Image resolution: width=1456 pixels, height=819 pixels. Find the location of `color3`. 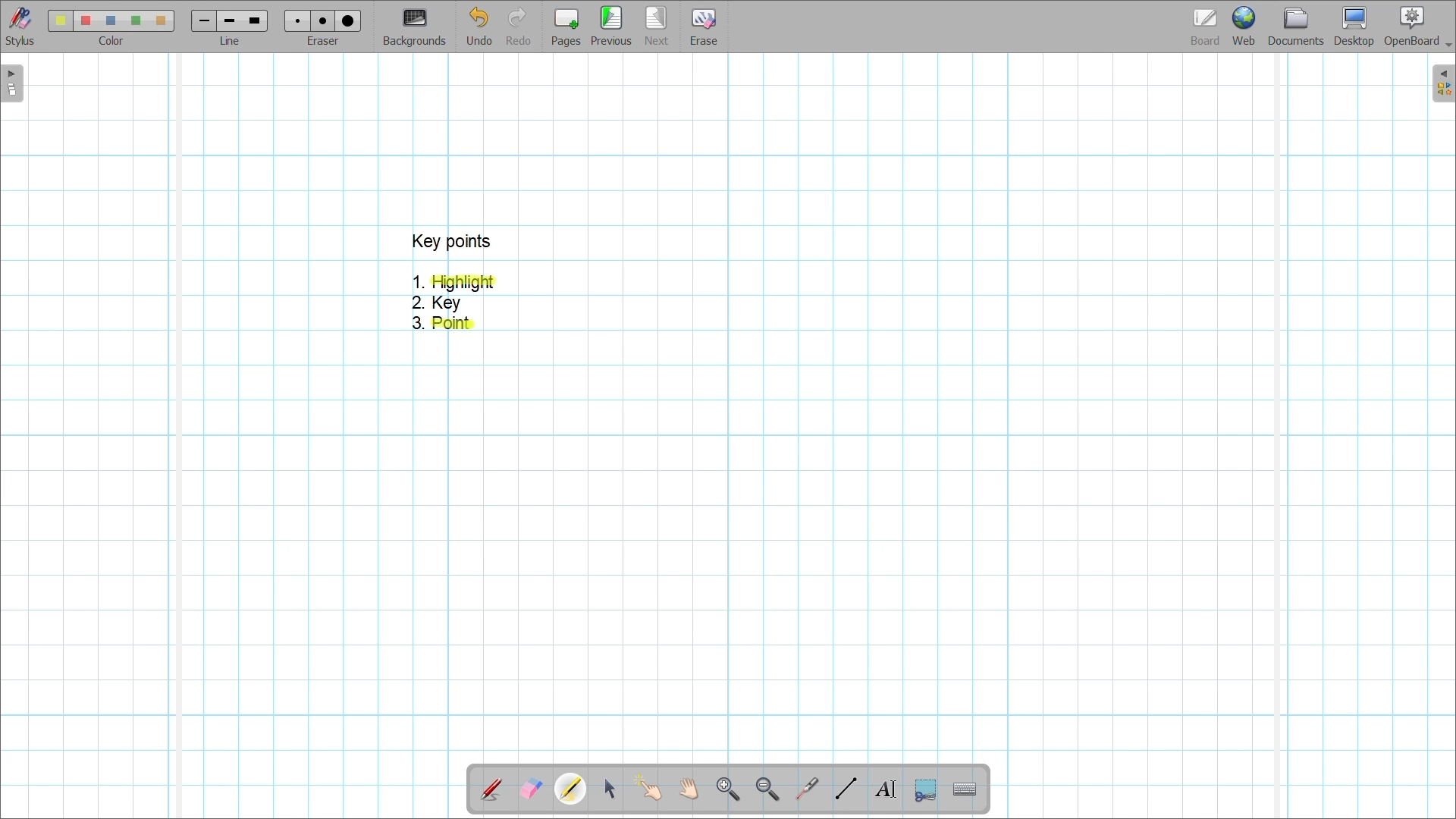

color3 is located at coordinates (111, 21).